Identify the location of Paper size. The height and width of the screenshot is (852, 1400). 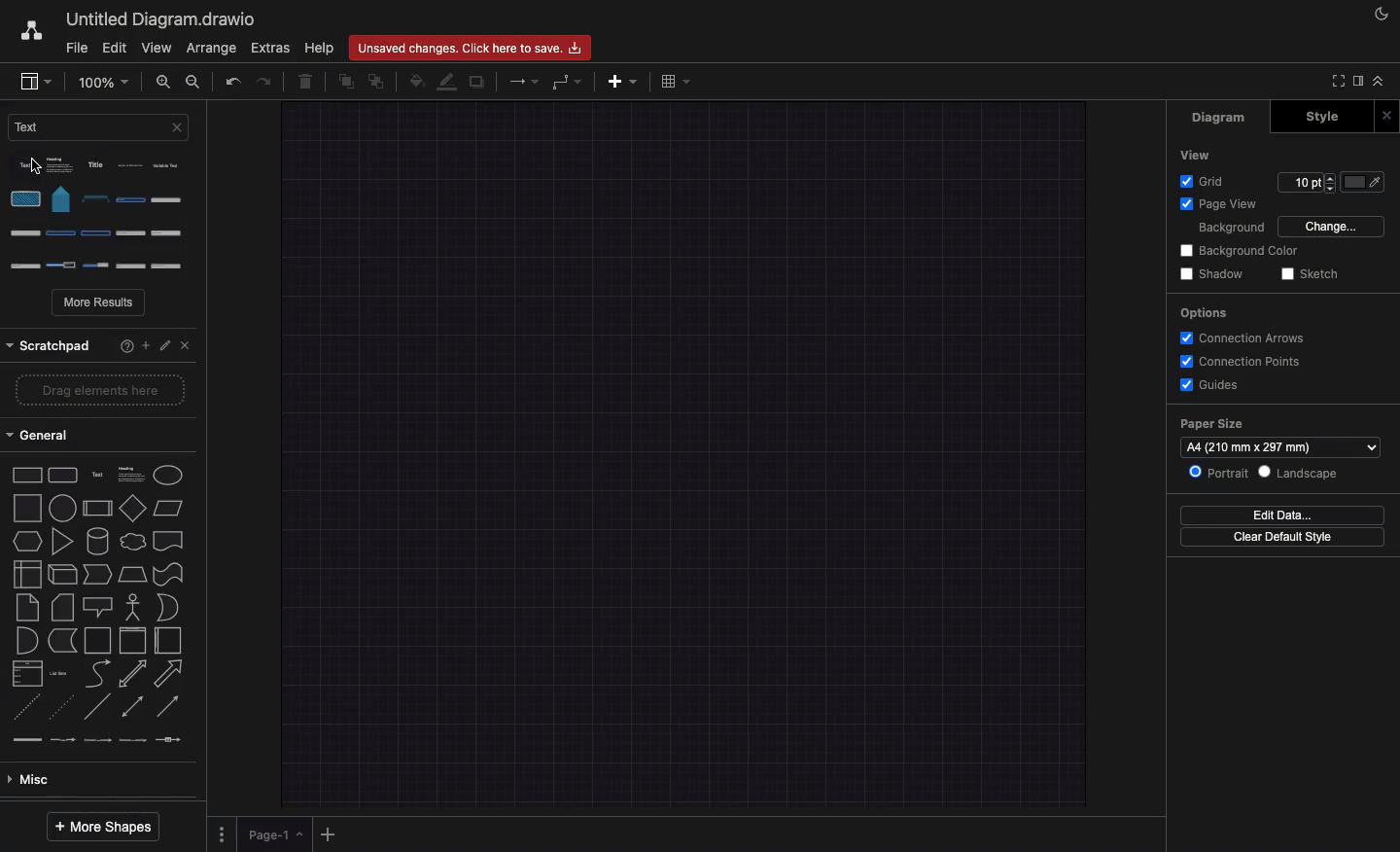
(1280, 436).